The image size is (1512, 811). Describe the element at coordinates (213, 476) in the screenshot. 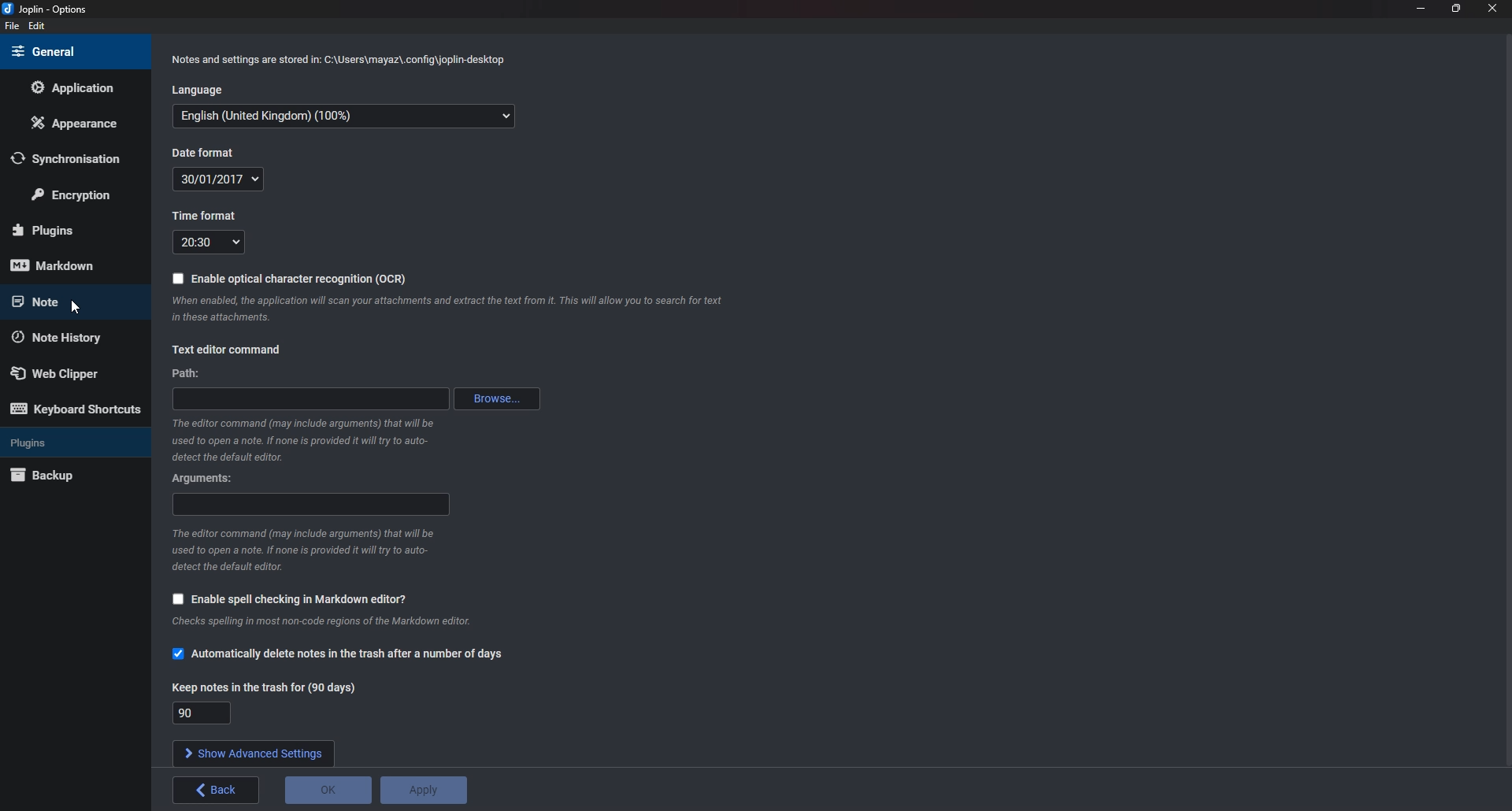

I see `Arguments` at that location.